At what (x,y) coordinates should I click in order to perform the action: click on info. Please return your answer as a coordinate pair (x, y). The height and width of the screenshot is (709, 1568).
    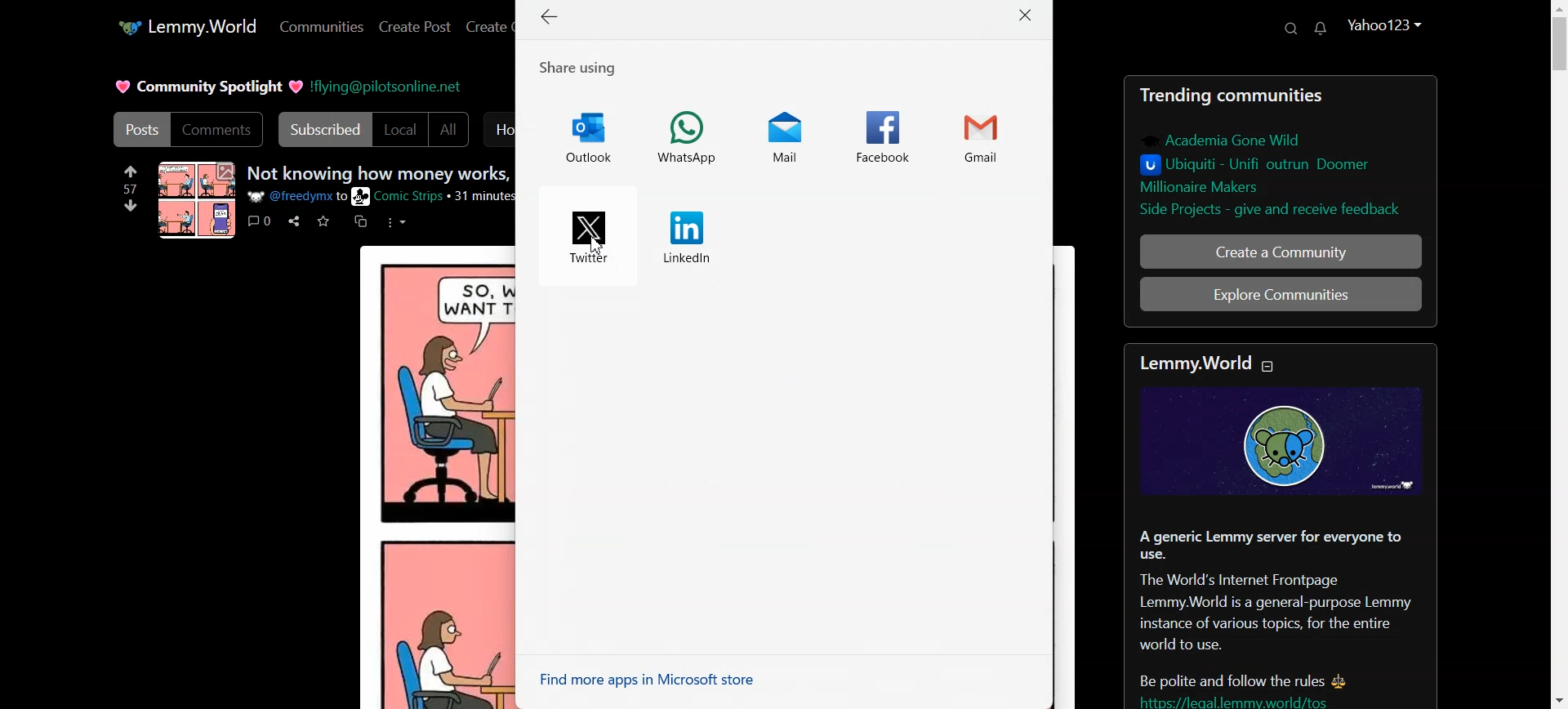
    Looking at the image, I should click on (384, 195).